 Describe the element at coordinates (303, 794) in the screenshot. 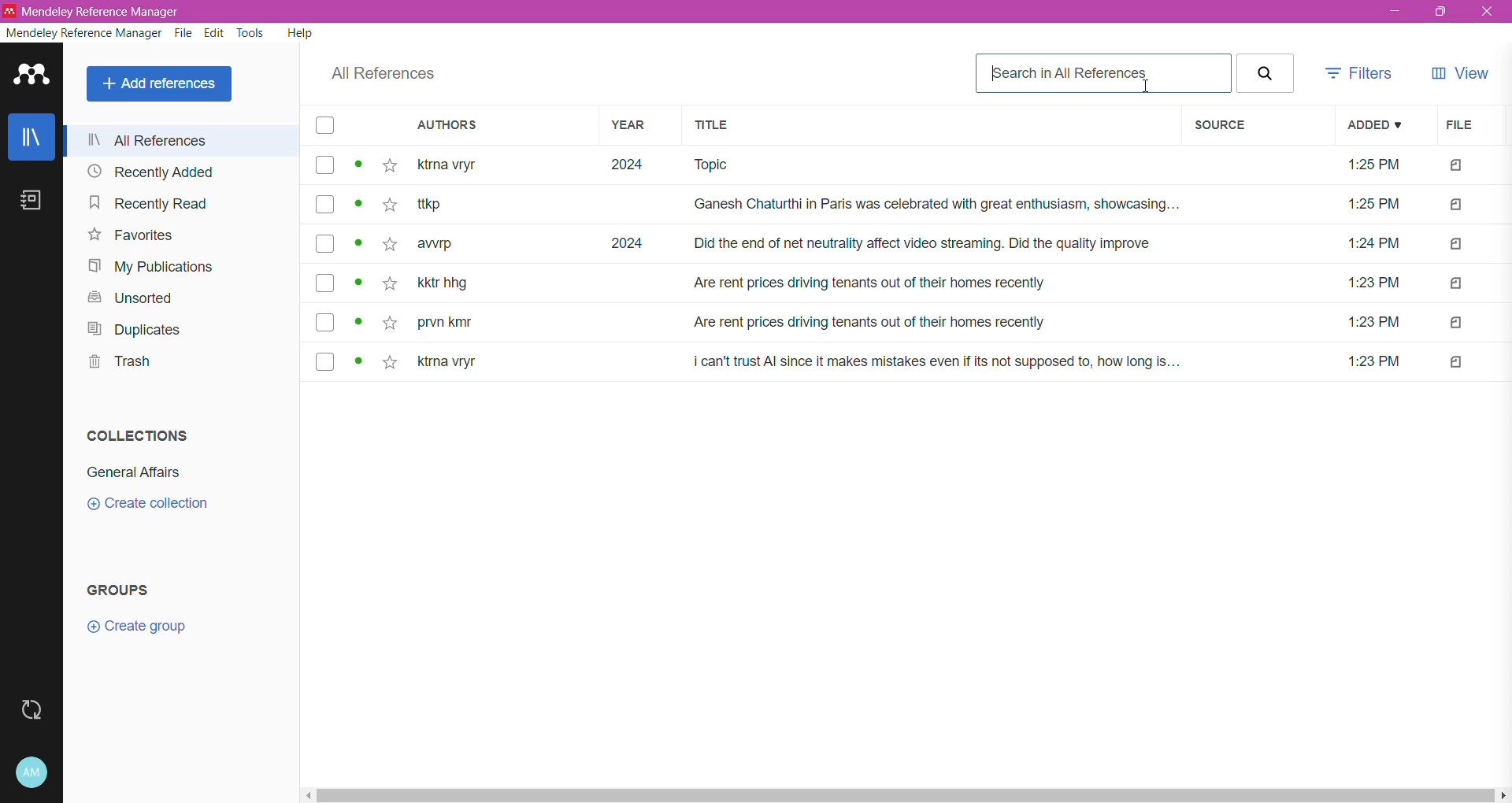

I see `move left` at that location.